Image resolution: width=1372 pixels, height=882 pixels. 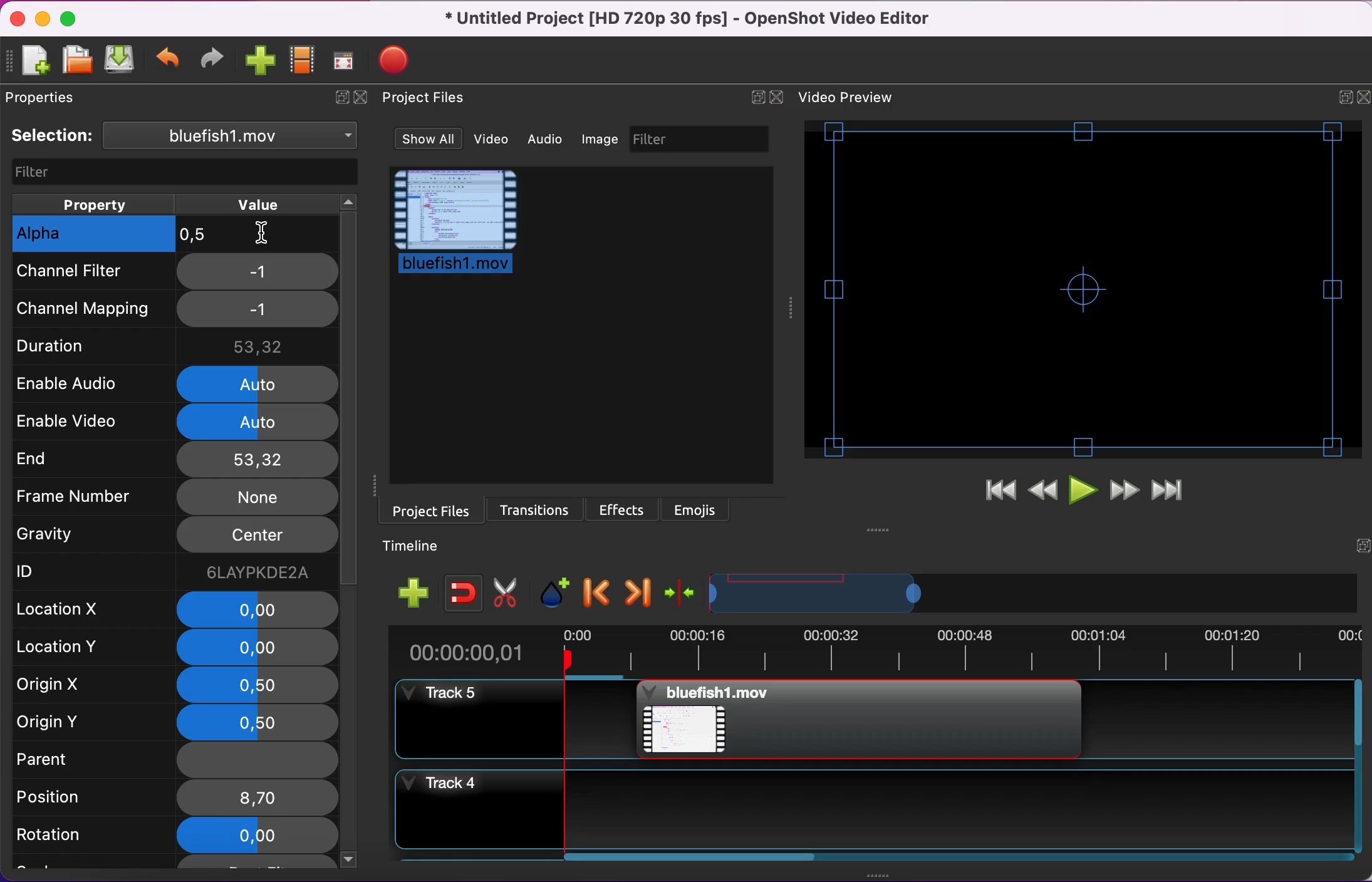 I want to click on minimize, so click(x=42, y=19).